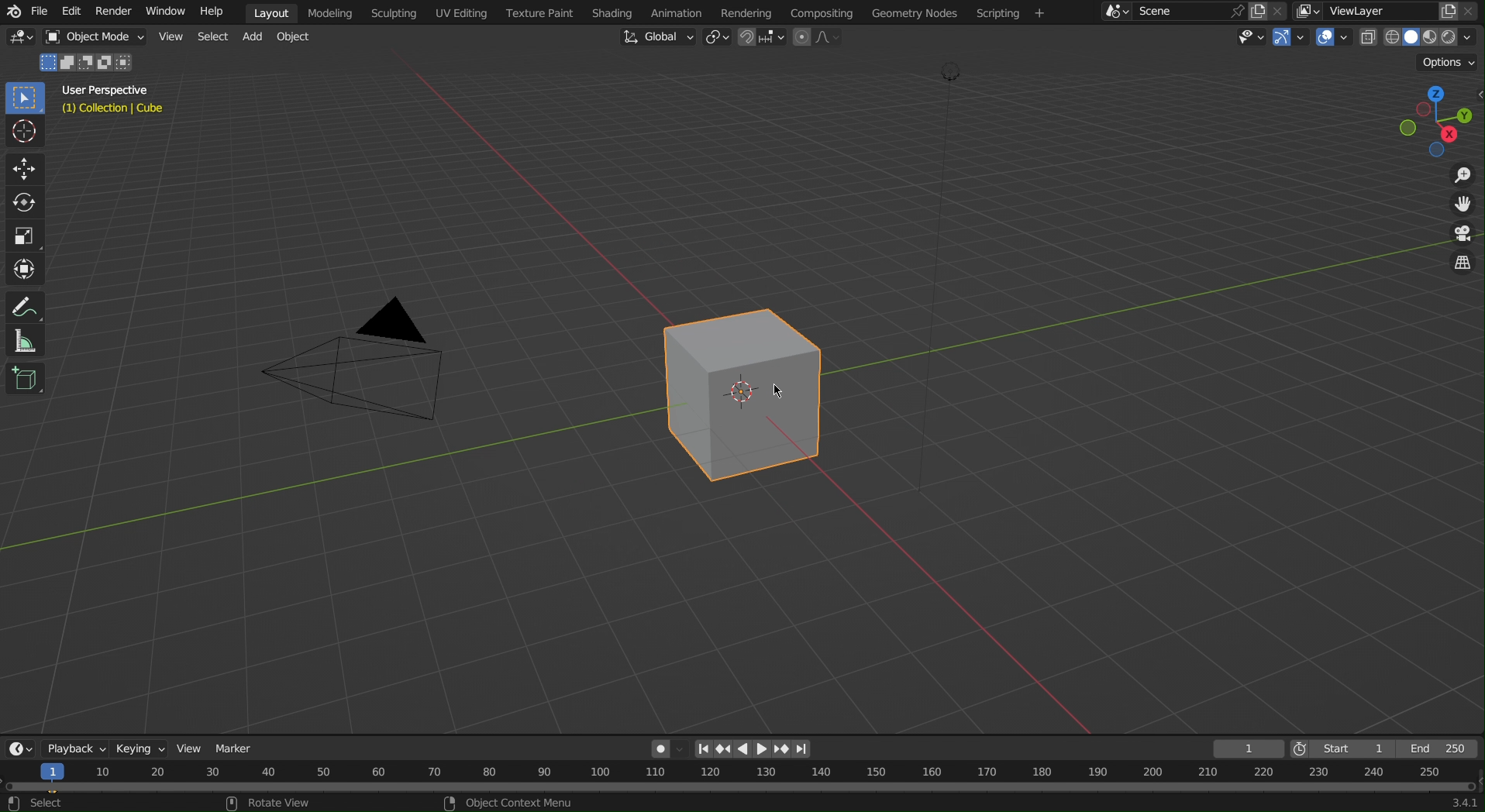 This screenshot has height=812, width=1485. What do you see at coordinates (1459, 262) in the screenshot?
I see `Switch the current view` at bounding box center [1459, 262].